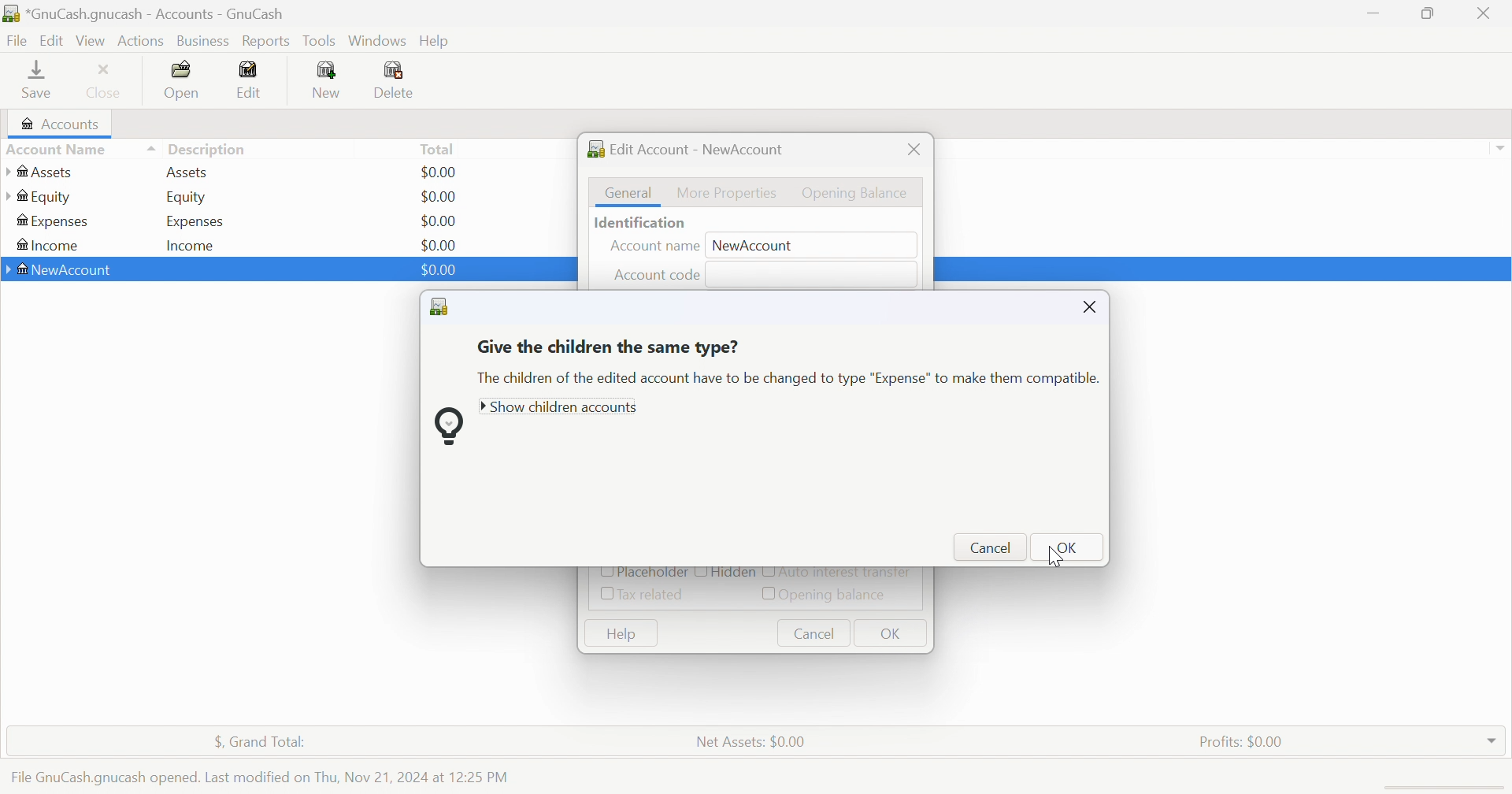  Describe the element at coordinates (36, 78) in the screenshot. I see `Save` at that location.